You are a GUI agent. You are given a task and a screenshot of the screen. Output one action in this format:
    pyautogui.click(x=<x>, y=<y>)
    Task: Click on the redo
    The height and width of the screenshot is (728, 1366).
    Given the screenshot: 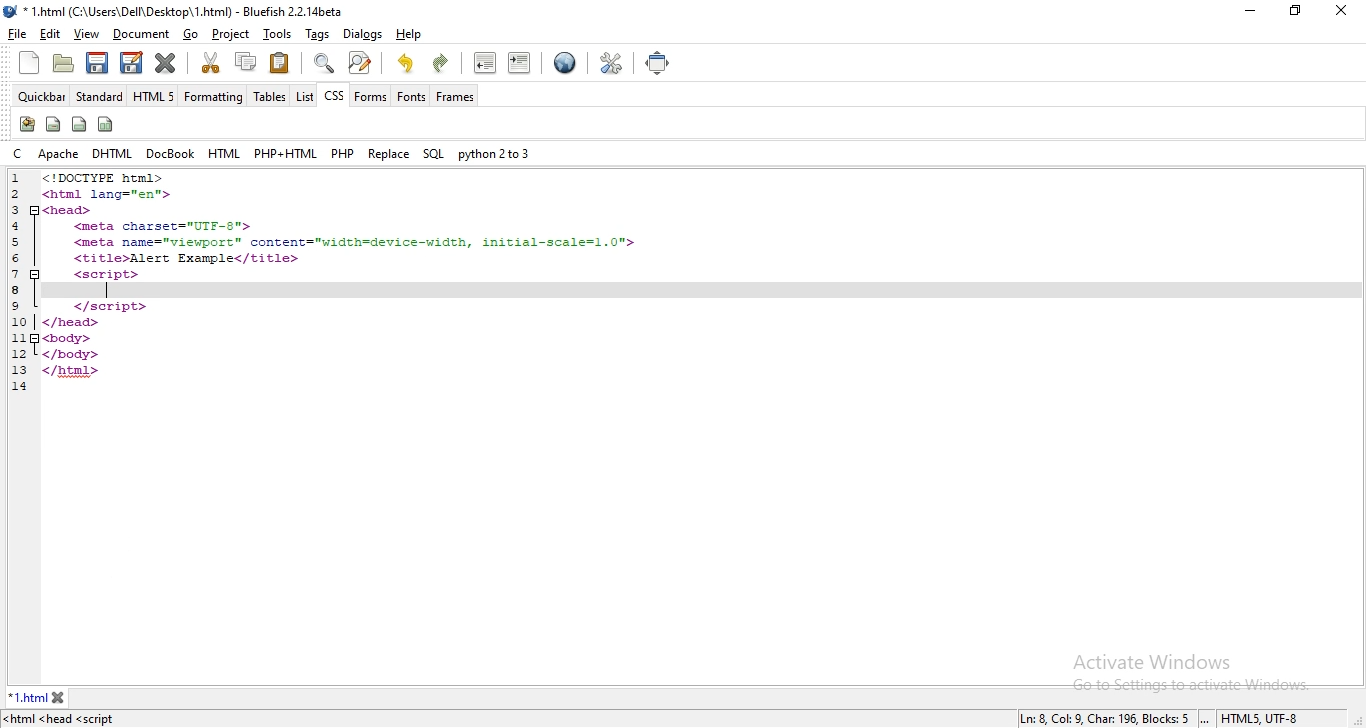 What is the action you would take?
    pyautogui.click(x=442, y=64)
    